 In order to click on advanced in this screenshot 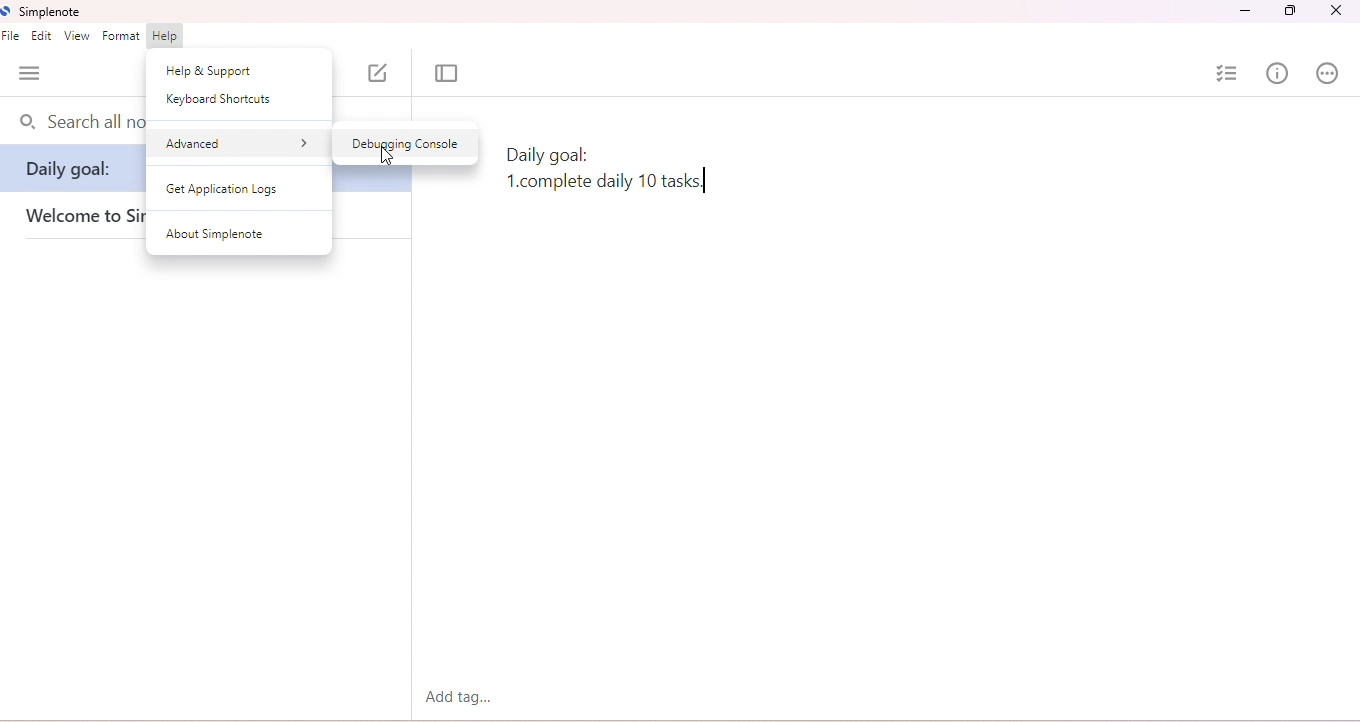, I will do `click(238, 142)`.